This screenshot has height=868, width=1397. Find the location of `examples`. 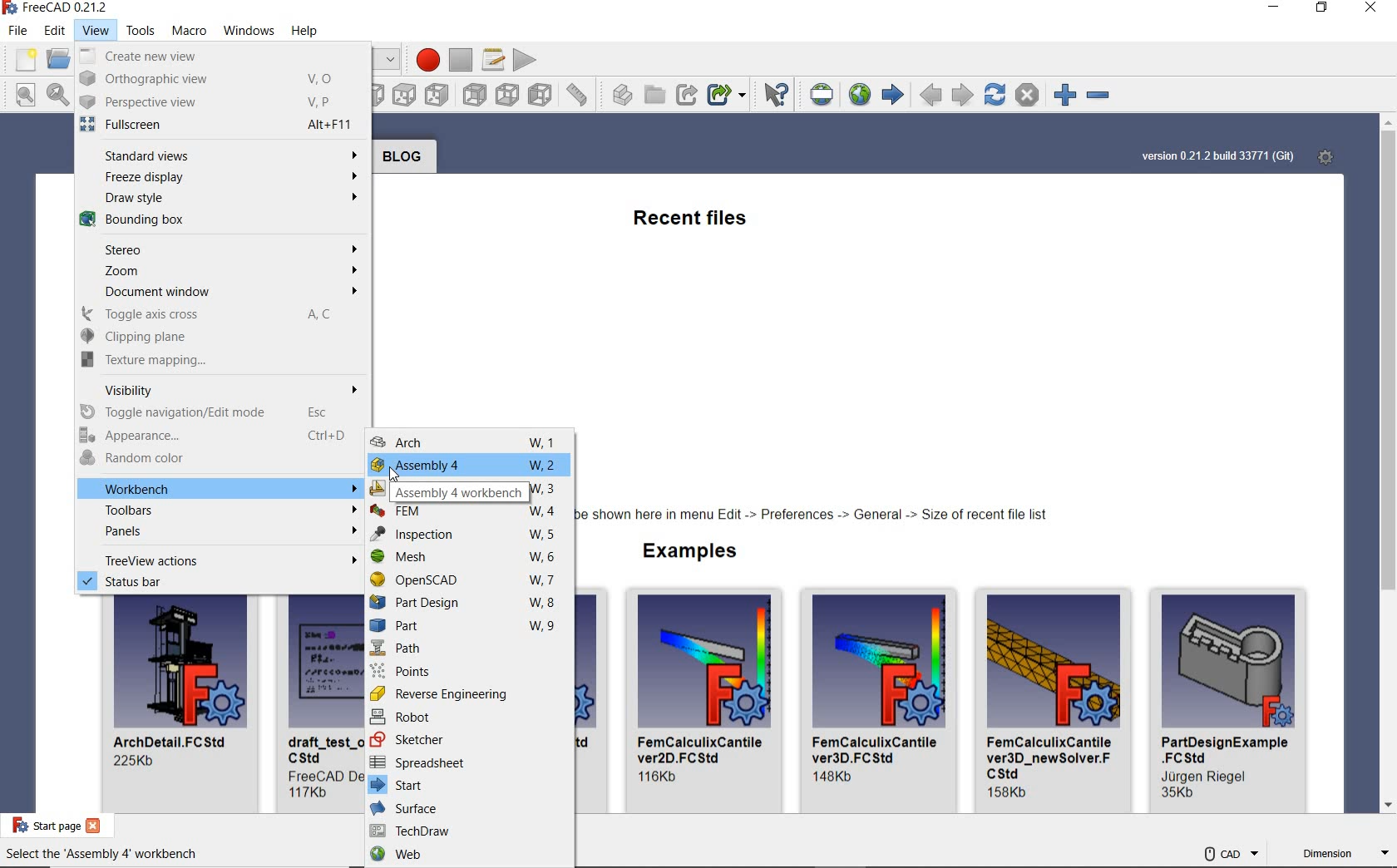

examples is located at coordinates (683, 554).